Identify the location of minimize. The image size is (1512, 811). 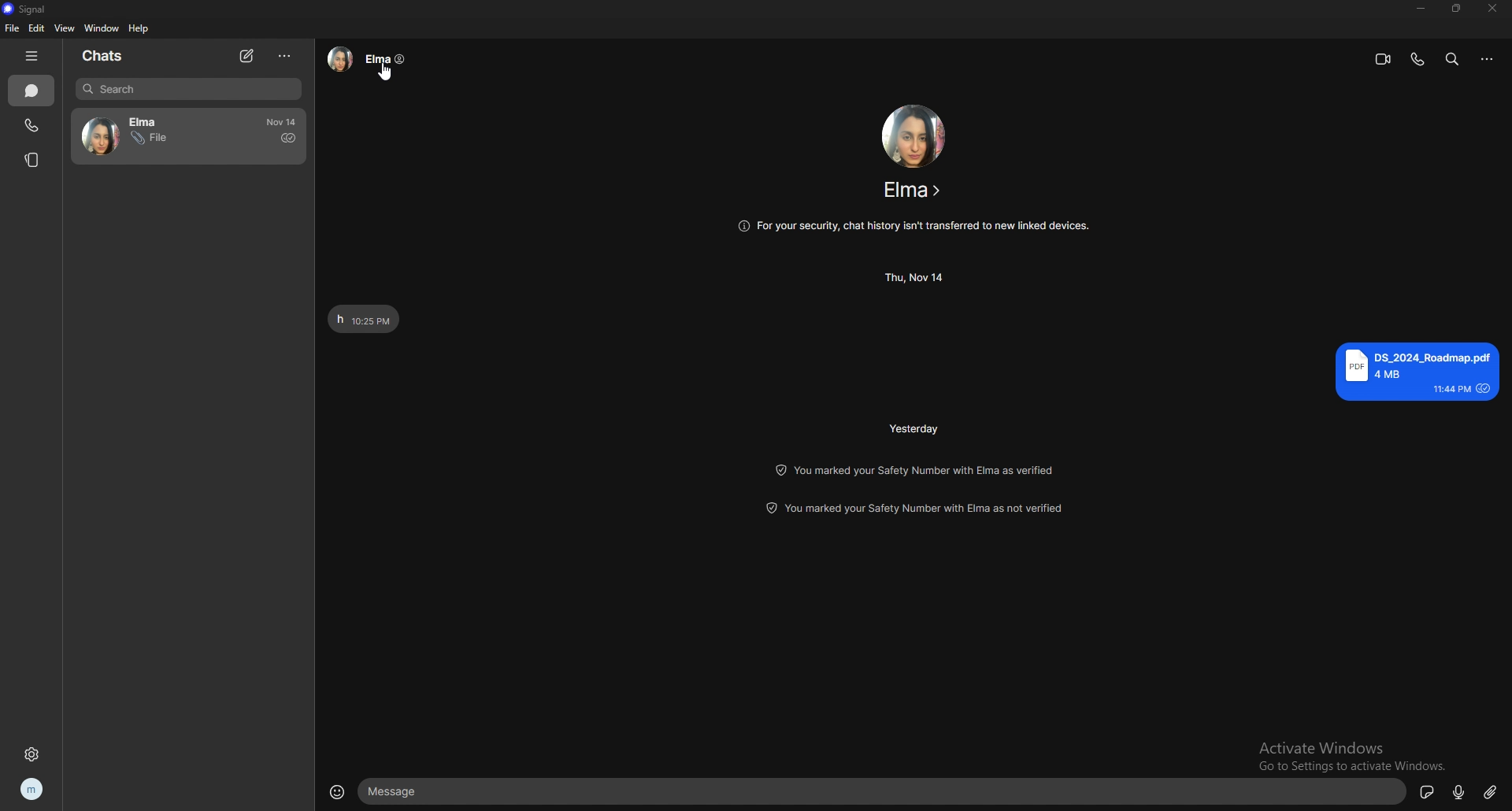
(1421, 8).